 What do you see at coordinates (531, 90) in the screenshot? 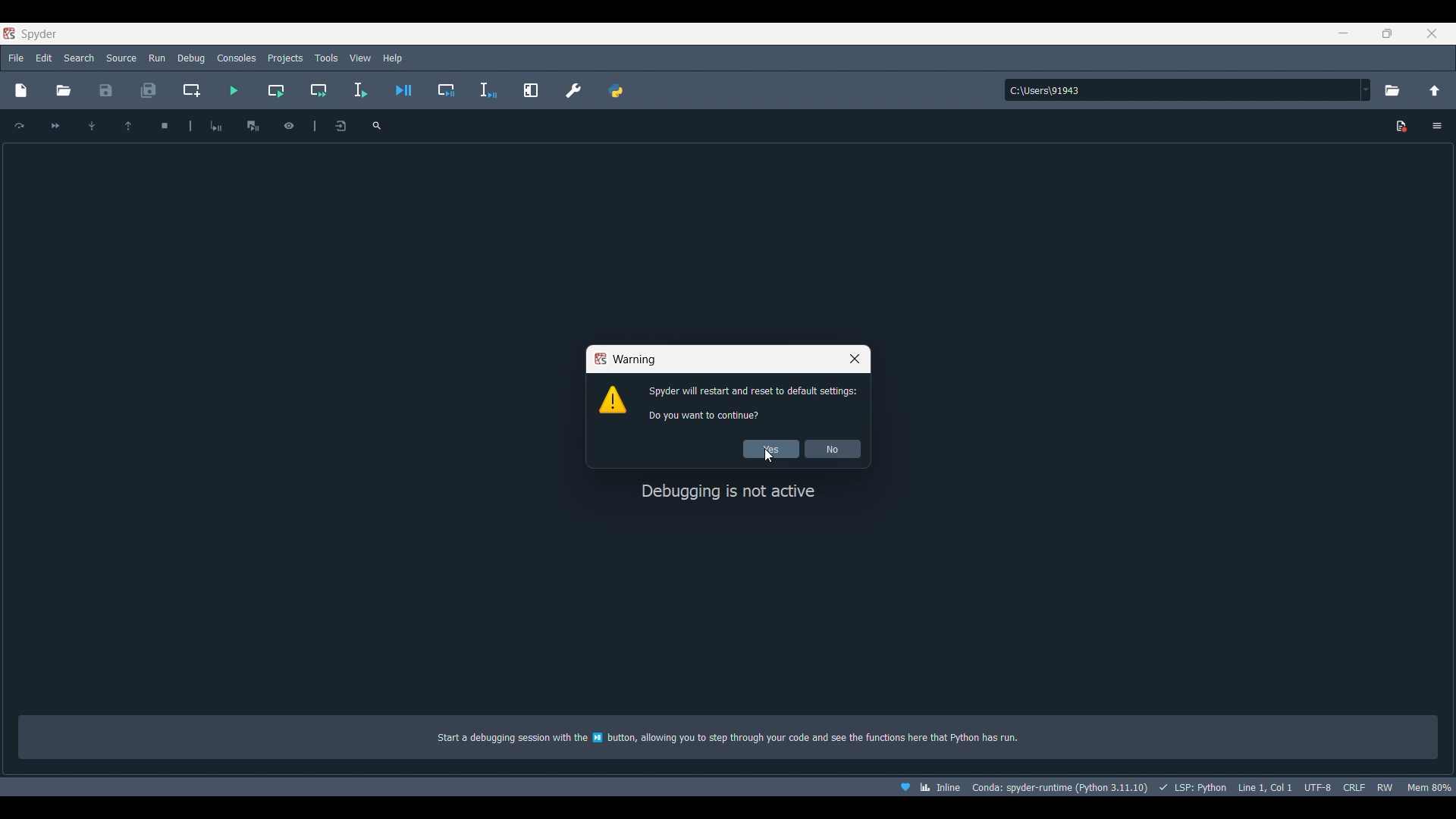
I see `Maximize current pane` at bounding box center [531, 90].